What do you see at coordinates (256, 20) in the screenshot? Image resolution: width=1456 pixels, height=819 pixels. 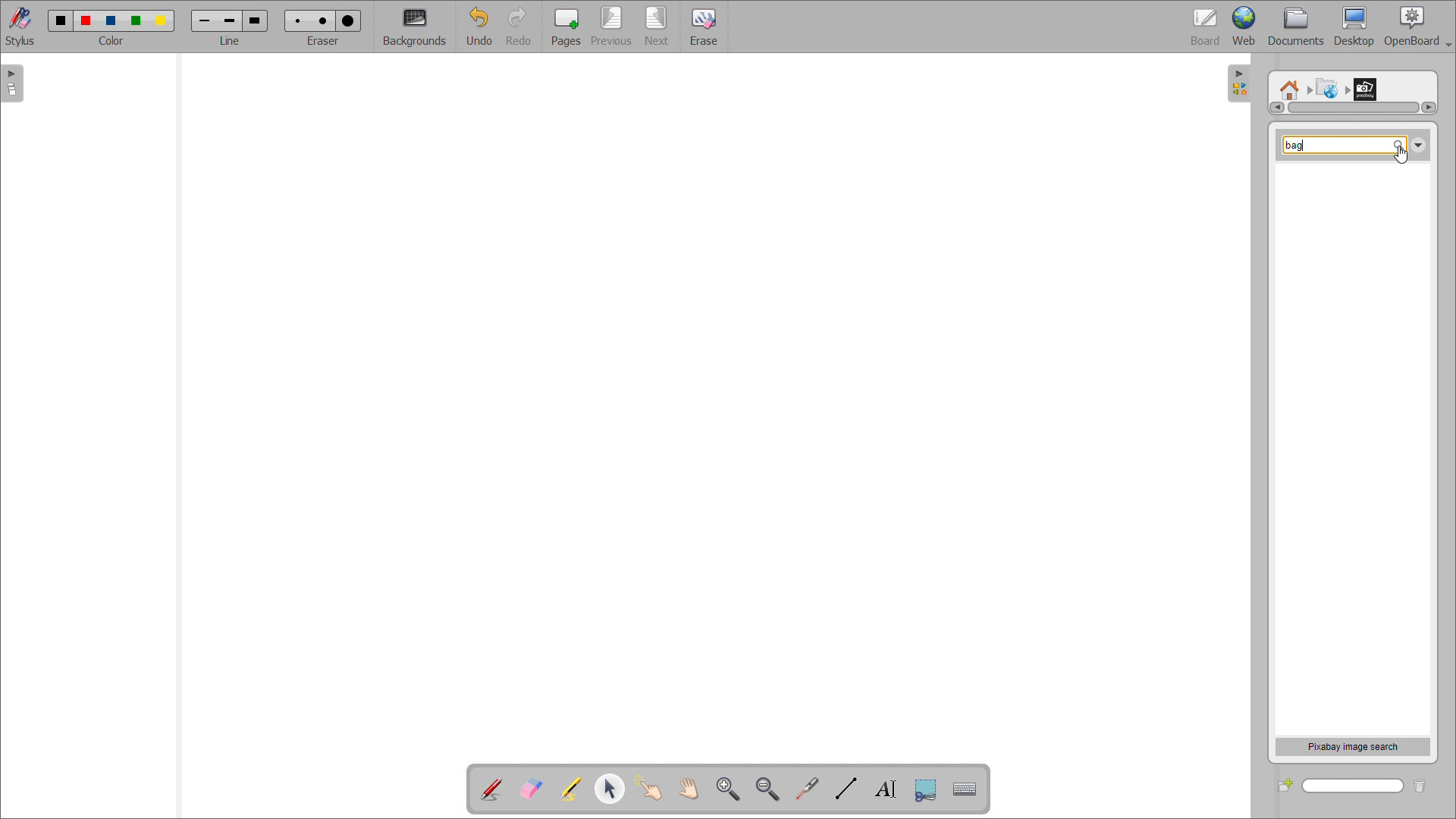 I see `Large line` at bounding box center [256, 20].